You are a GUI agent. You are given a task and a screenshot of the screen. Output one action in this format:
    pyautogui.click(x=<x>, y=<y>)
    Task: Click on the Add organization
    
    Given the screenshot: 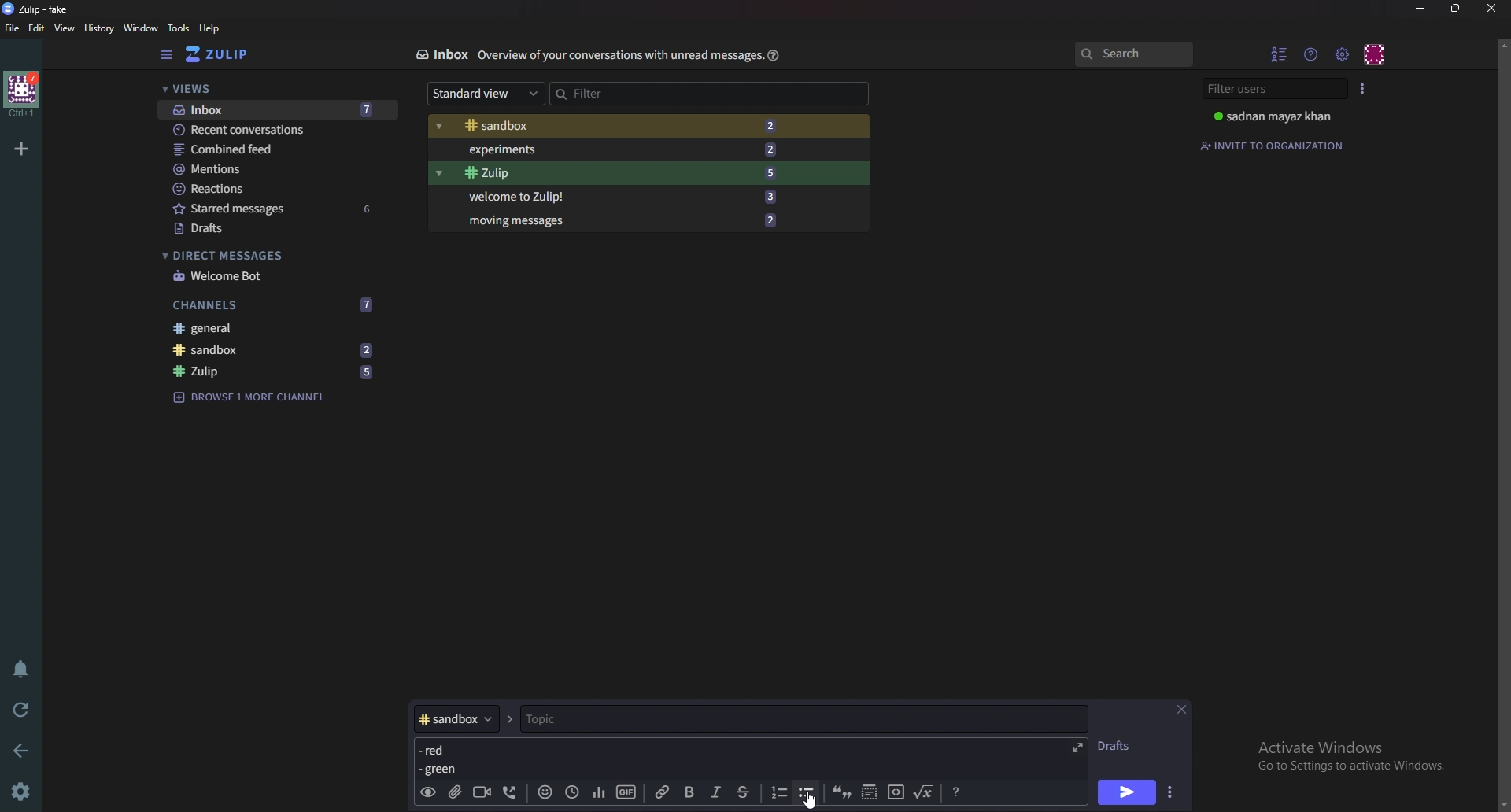 What is the action you would take?
    pyautogui.click(x=20, y=148)
    